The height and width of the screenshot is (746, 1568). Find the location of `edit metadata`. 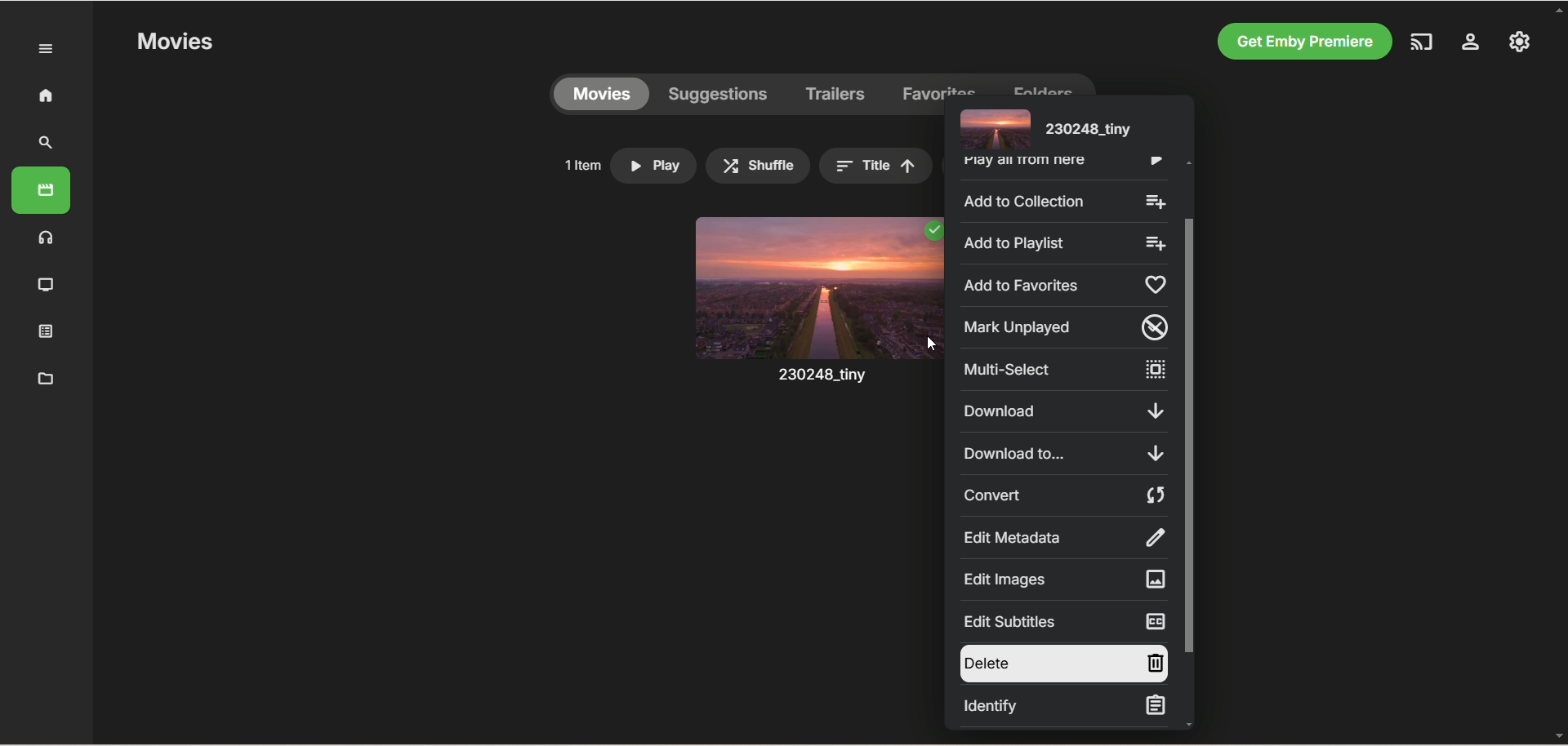

edit metadata is located at coordinates (1062, 537).